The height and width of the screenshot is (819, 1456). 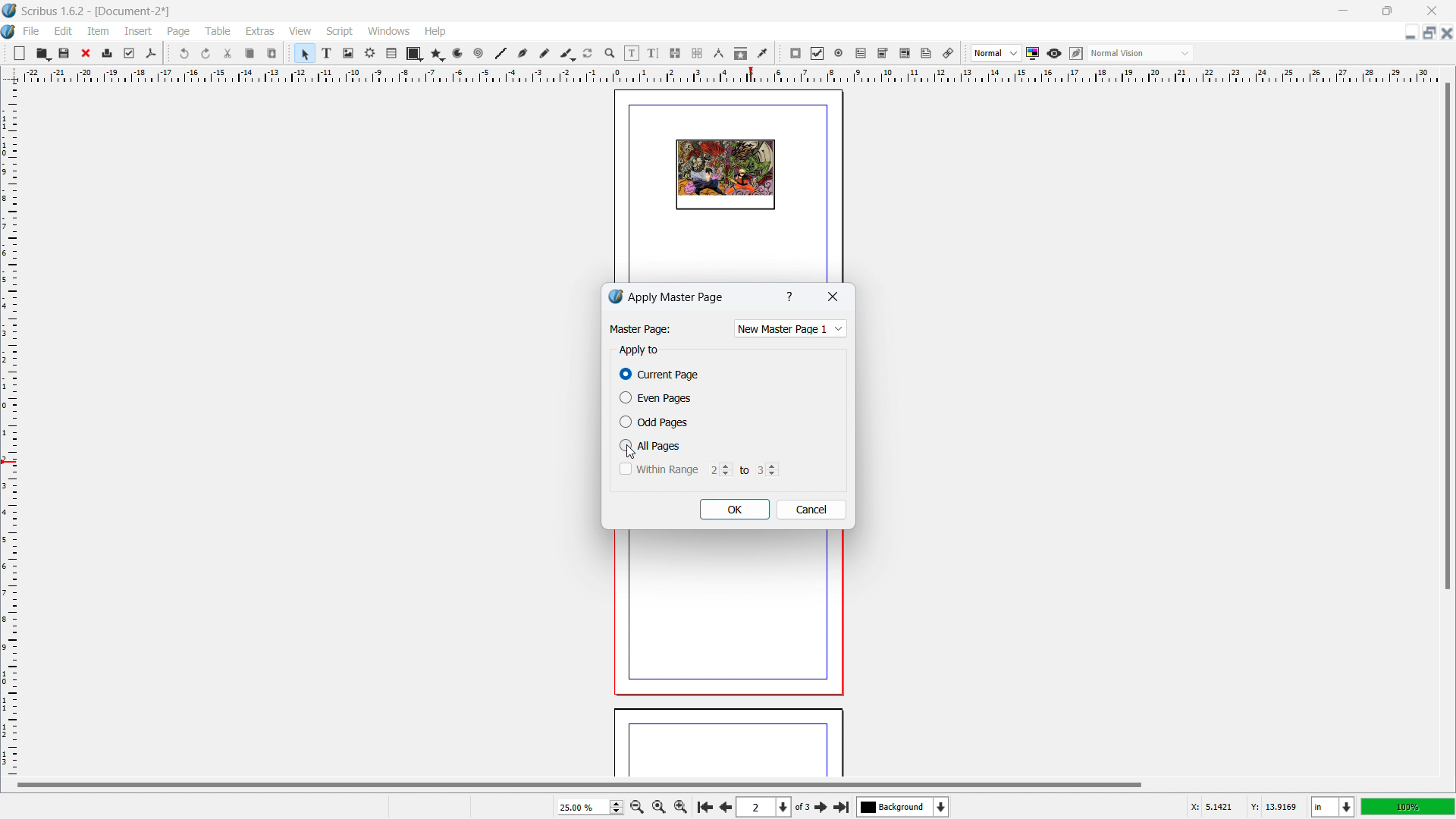 I want to click on pdf checkbox, so click(x=817, y=53).